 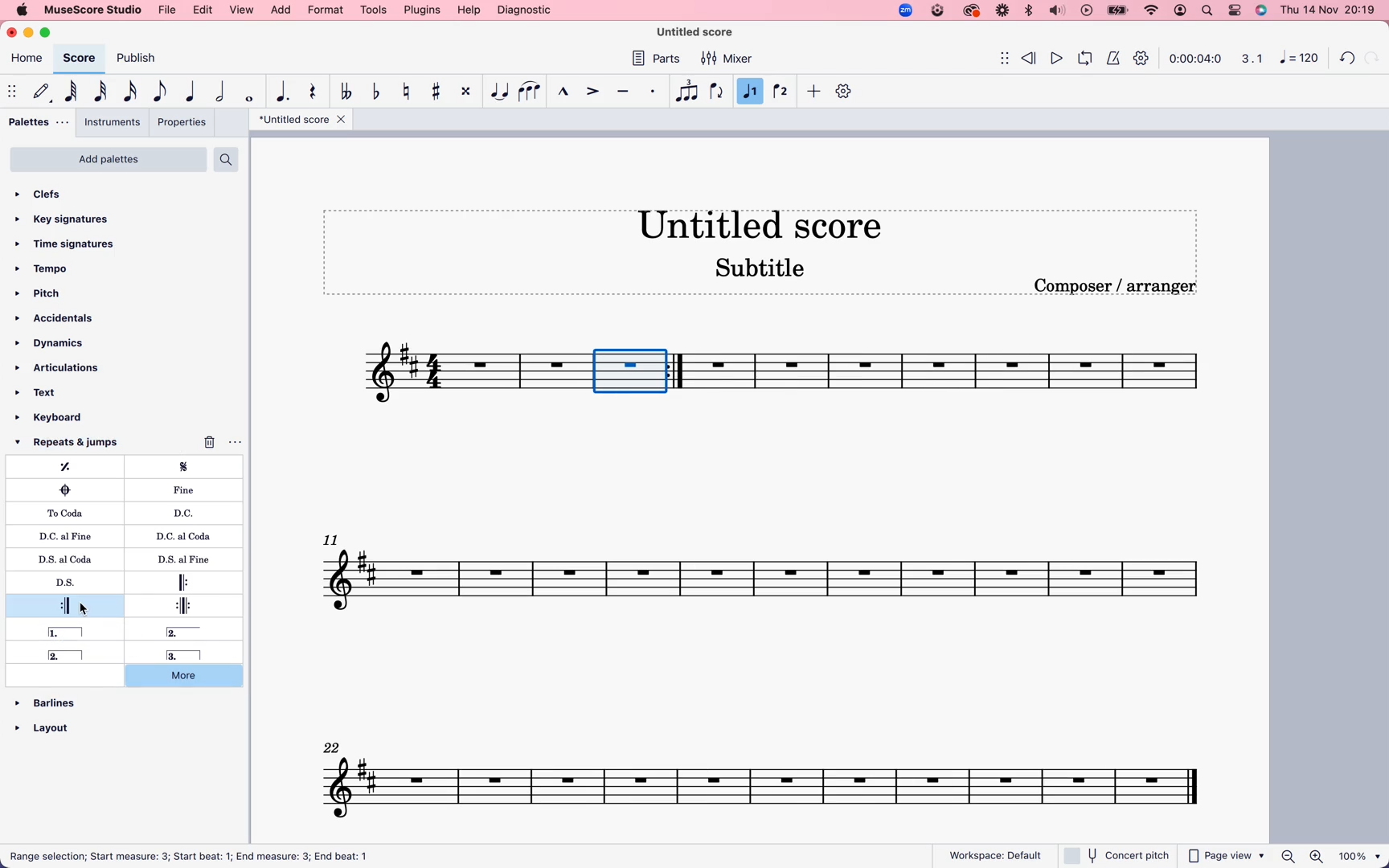 I want to click on date, so click(x=1326, y=10).